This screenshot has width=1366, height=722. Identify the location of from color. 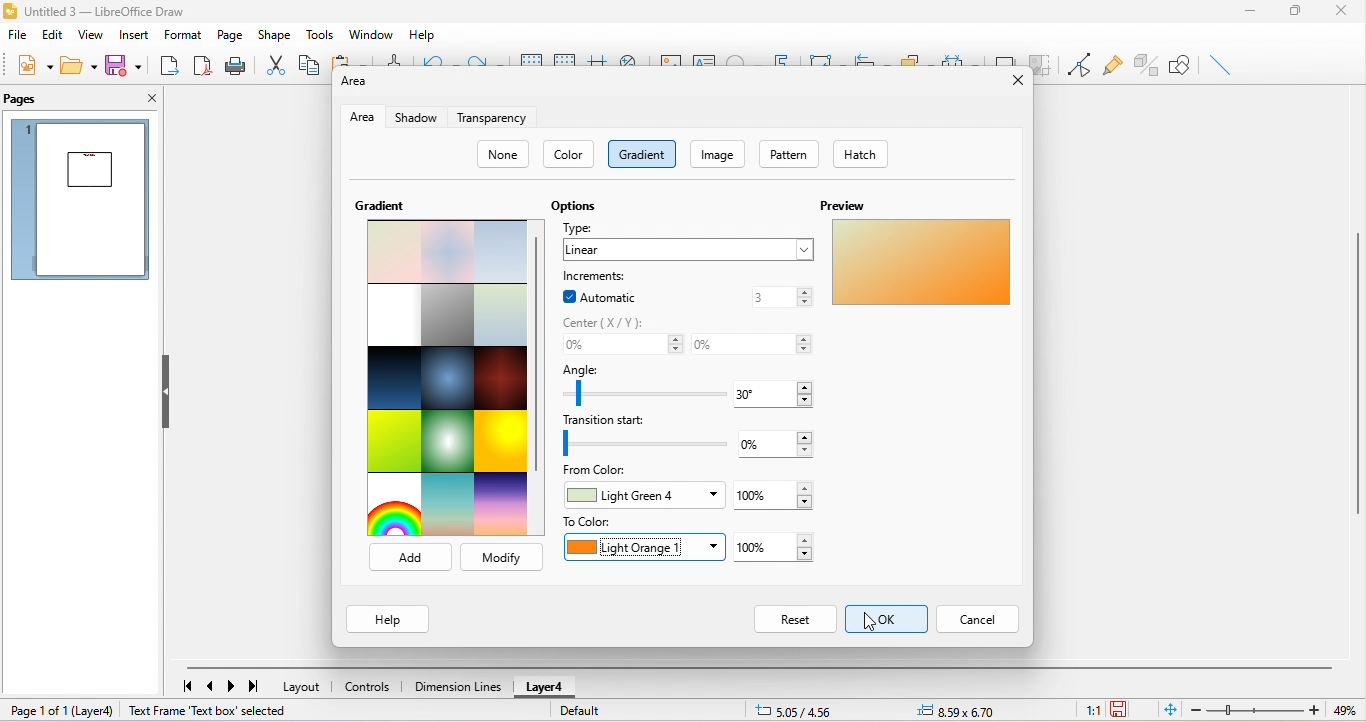
(601, 474).